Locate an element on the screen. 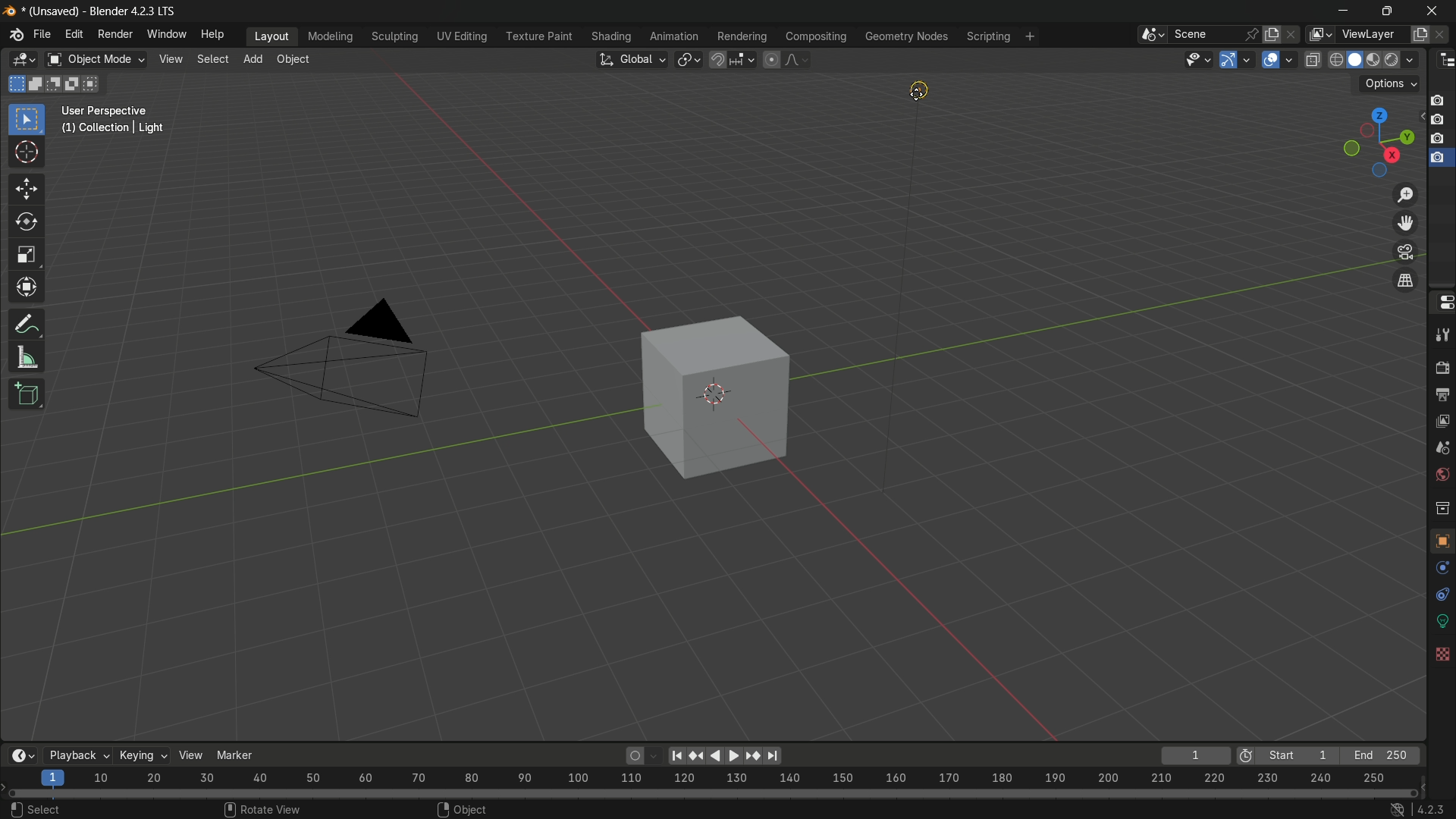 The height and width of the screenshot is (819, 1456). scene name is located at coordinates (1208, 36).